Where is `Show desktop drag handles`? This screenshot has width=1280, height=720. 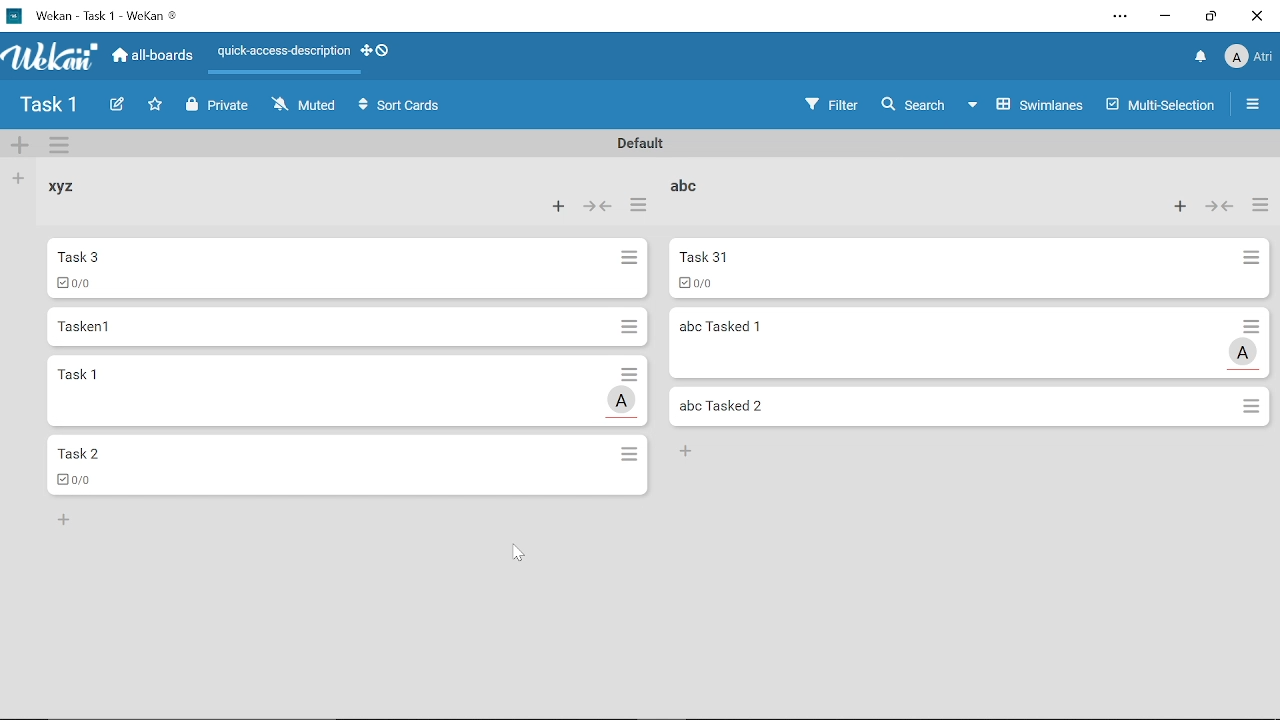
Show desktop drag handles is located at coordinates (365, 51).